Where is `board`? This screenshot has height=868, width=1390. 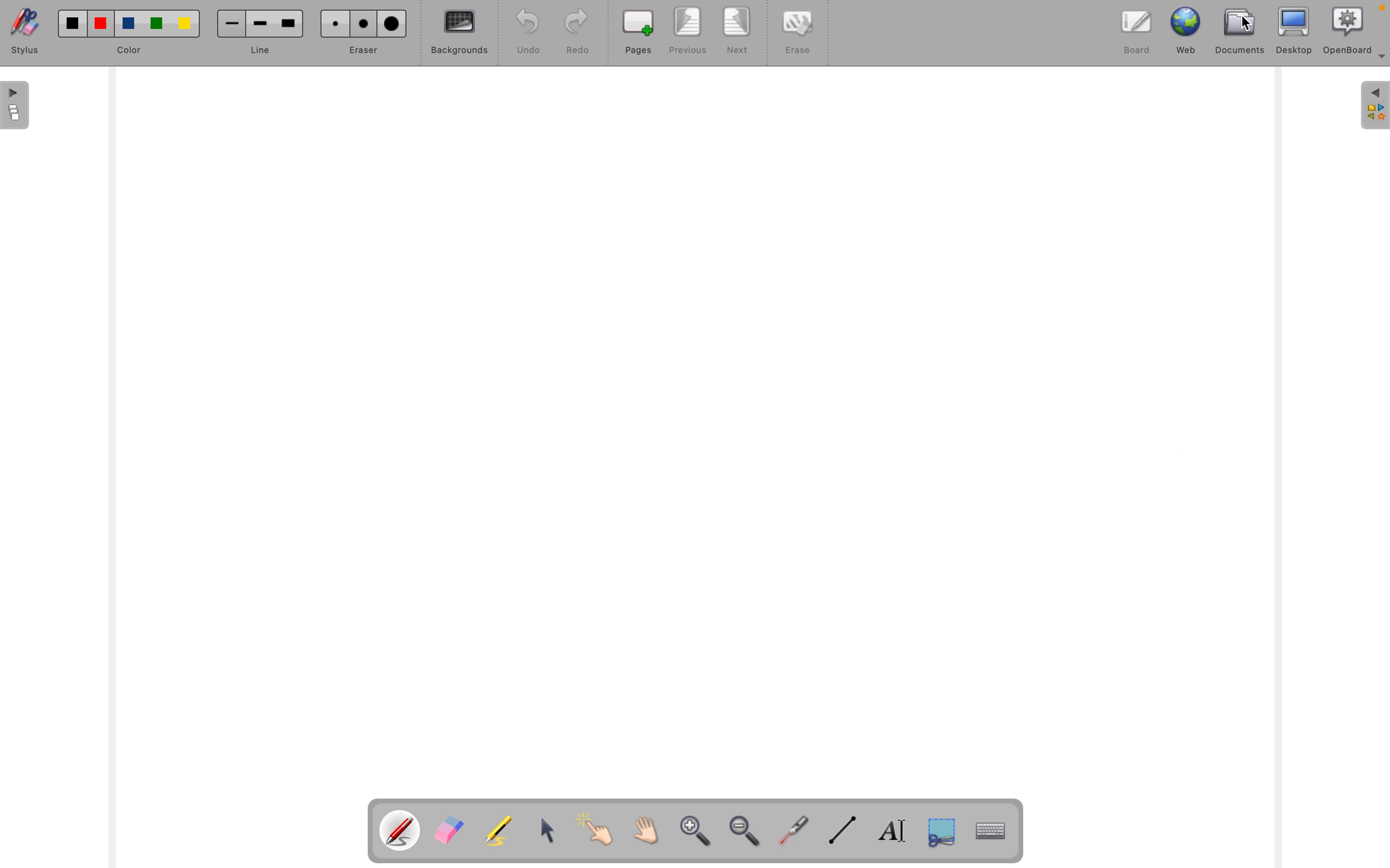
board is located at coordinates (1128, 29).